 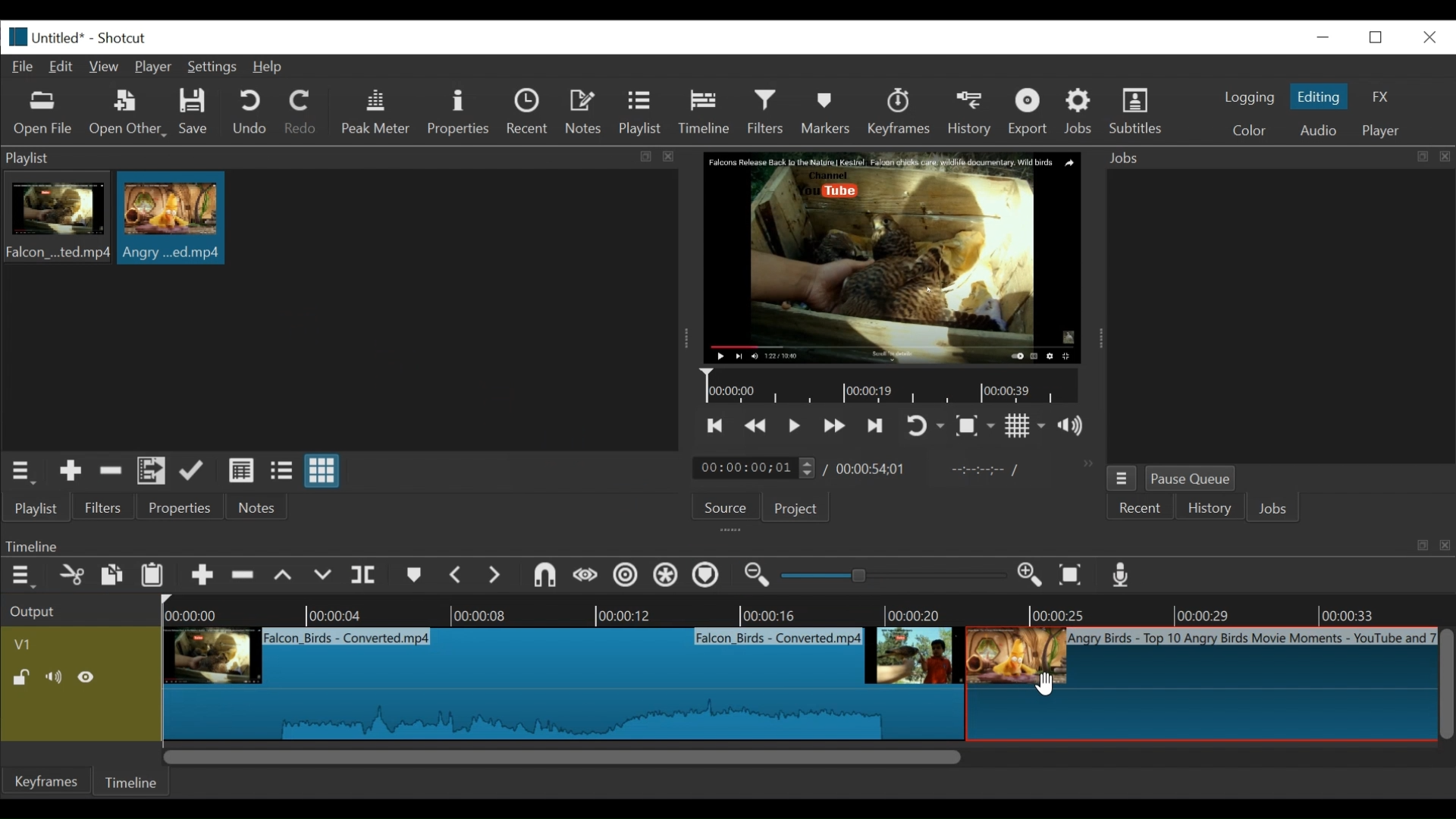 I want to click on Timeline, so click(x=808, y=610).